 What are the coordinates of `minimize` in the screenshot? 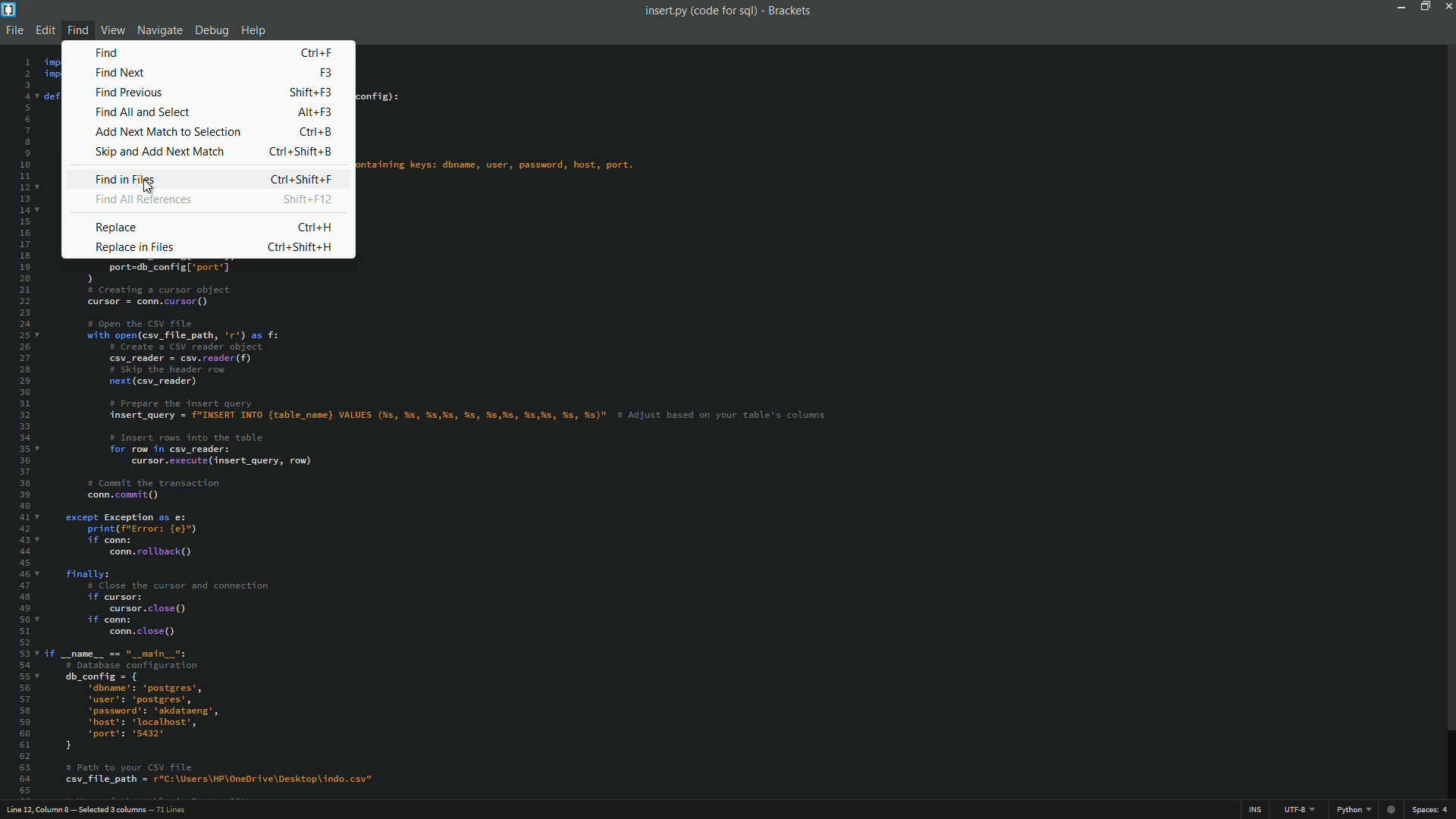 It's located at (1396, 6).